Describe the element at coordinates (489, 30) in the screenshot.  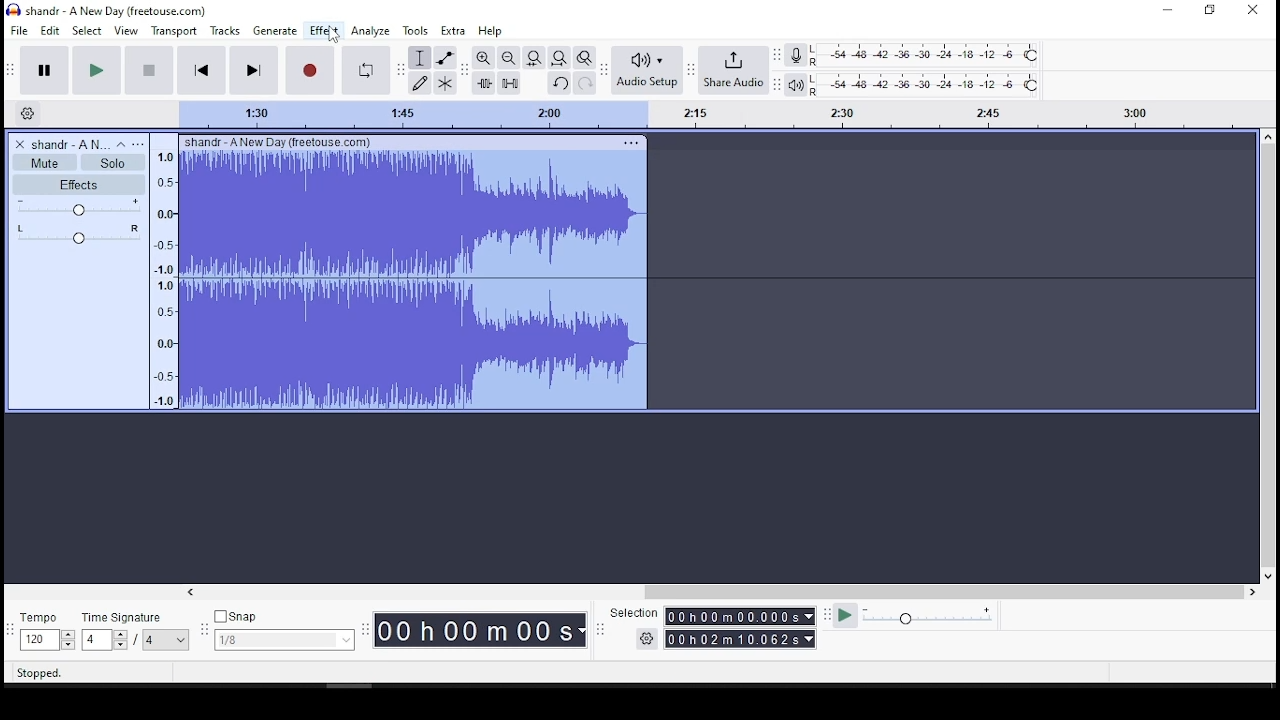
I see `help` at that location.